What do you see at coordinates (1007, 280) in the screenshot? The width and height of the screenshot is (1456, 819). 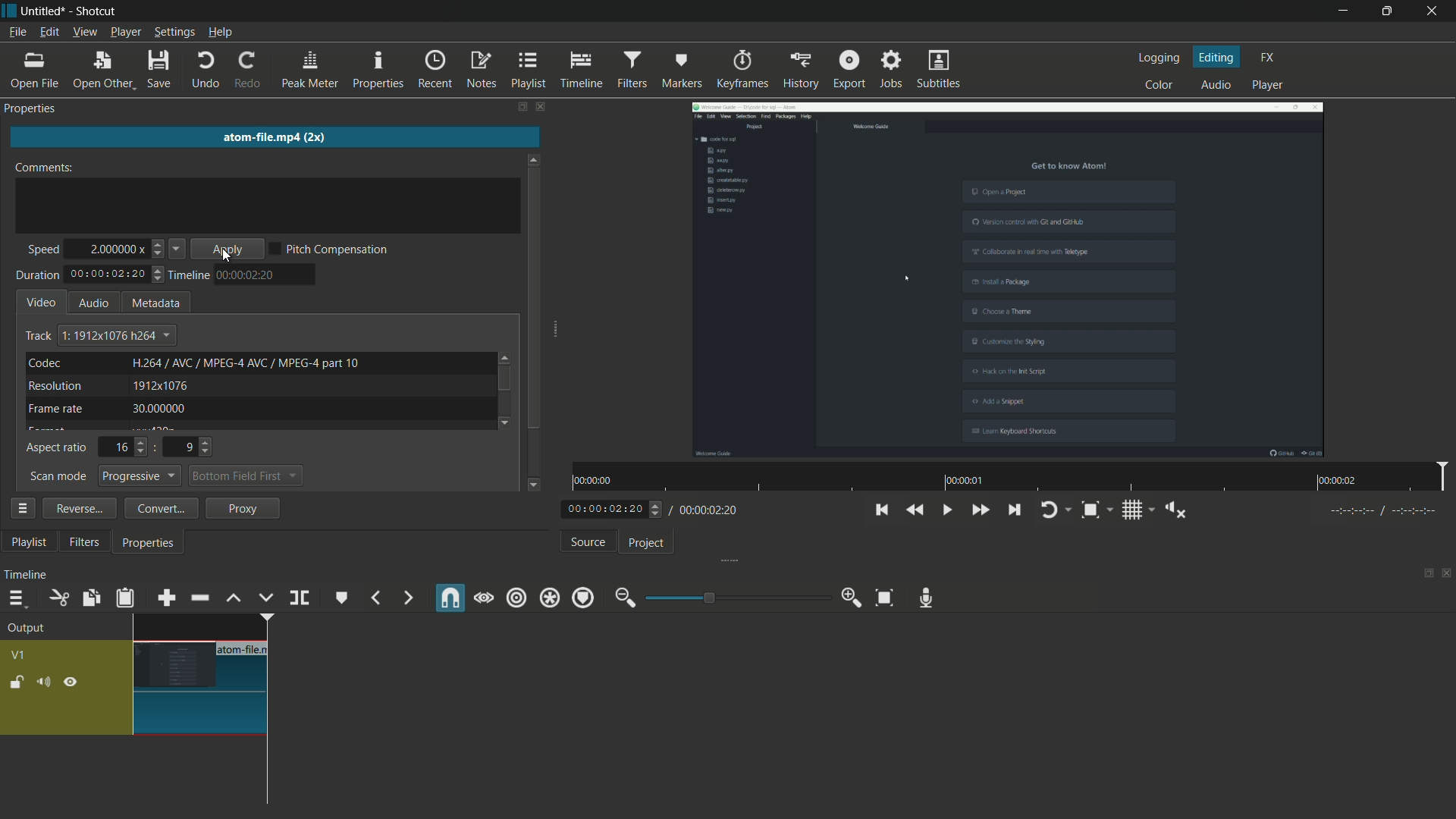 I see `filter is applied` at bounding box center [1007, 280].